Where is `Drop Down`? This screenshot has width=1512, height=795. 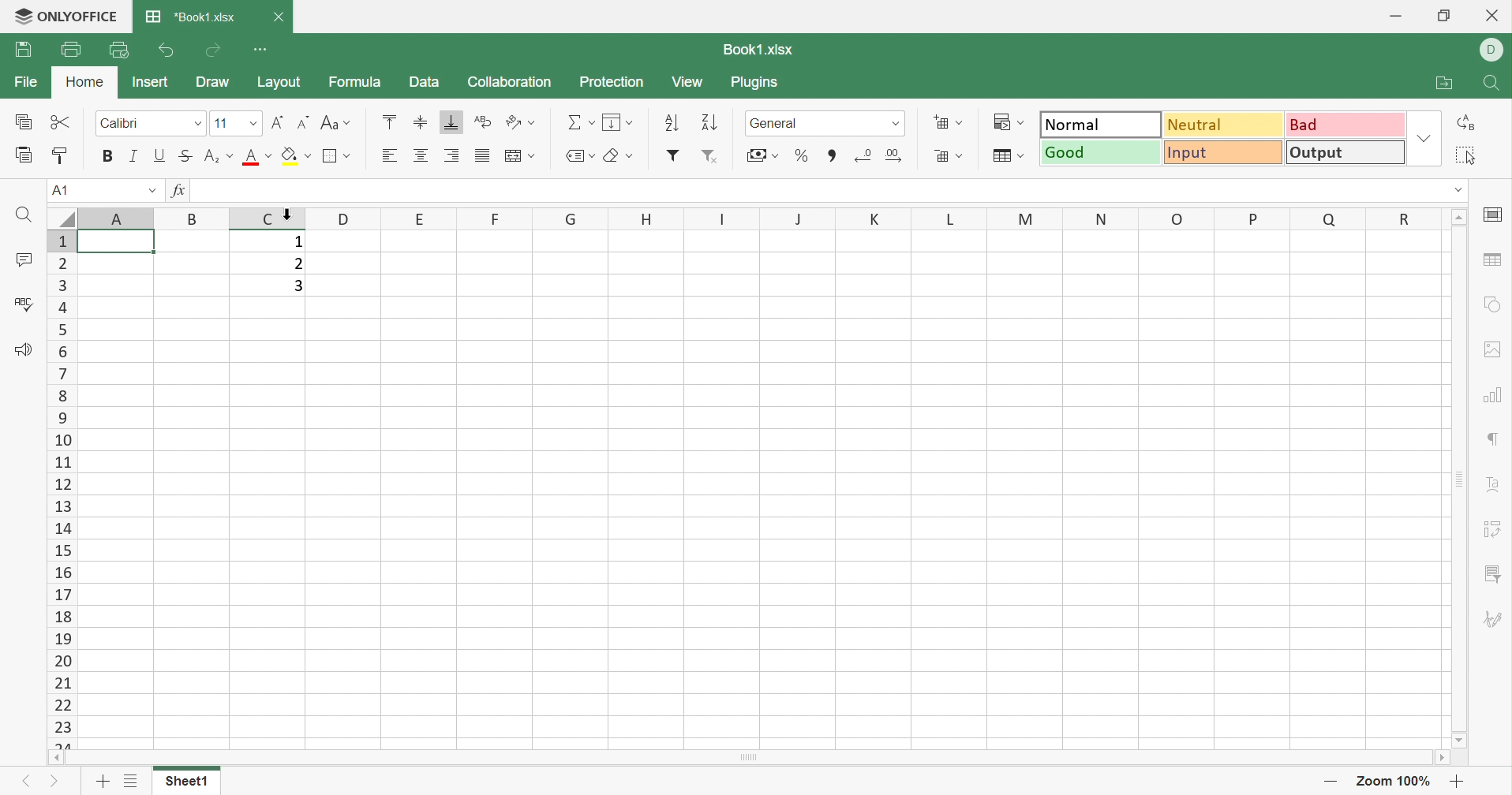
Drop Down is located at coordinates (532, 155).